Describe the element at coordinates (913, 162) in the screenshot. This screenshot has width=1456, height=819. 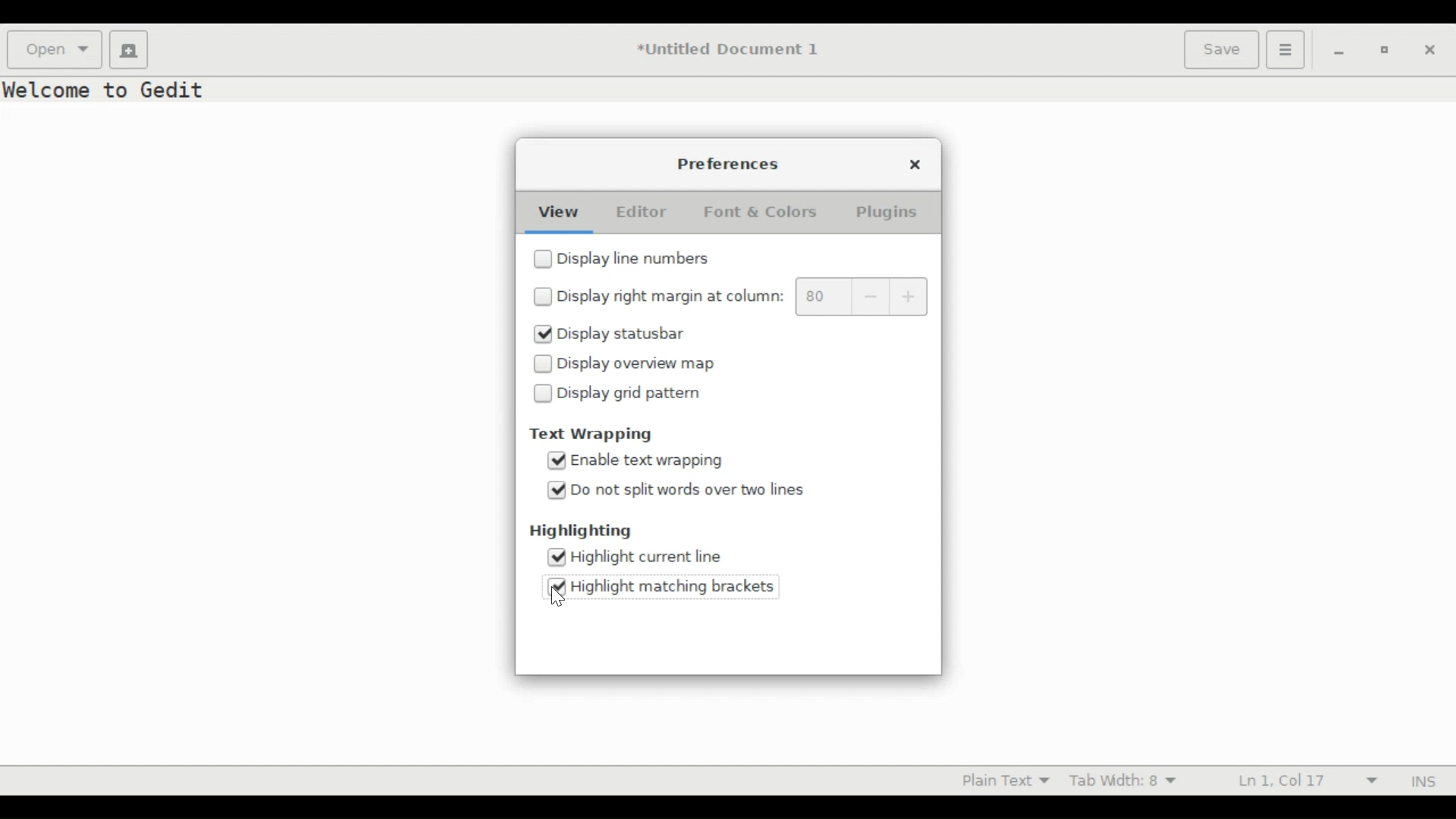
I see `Close` at that location.